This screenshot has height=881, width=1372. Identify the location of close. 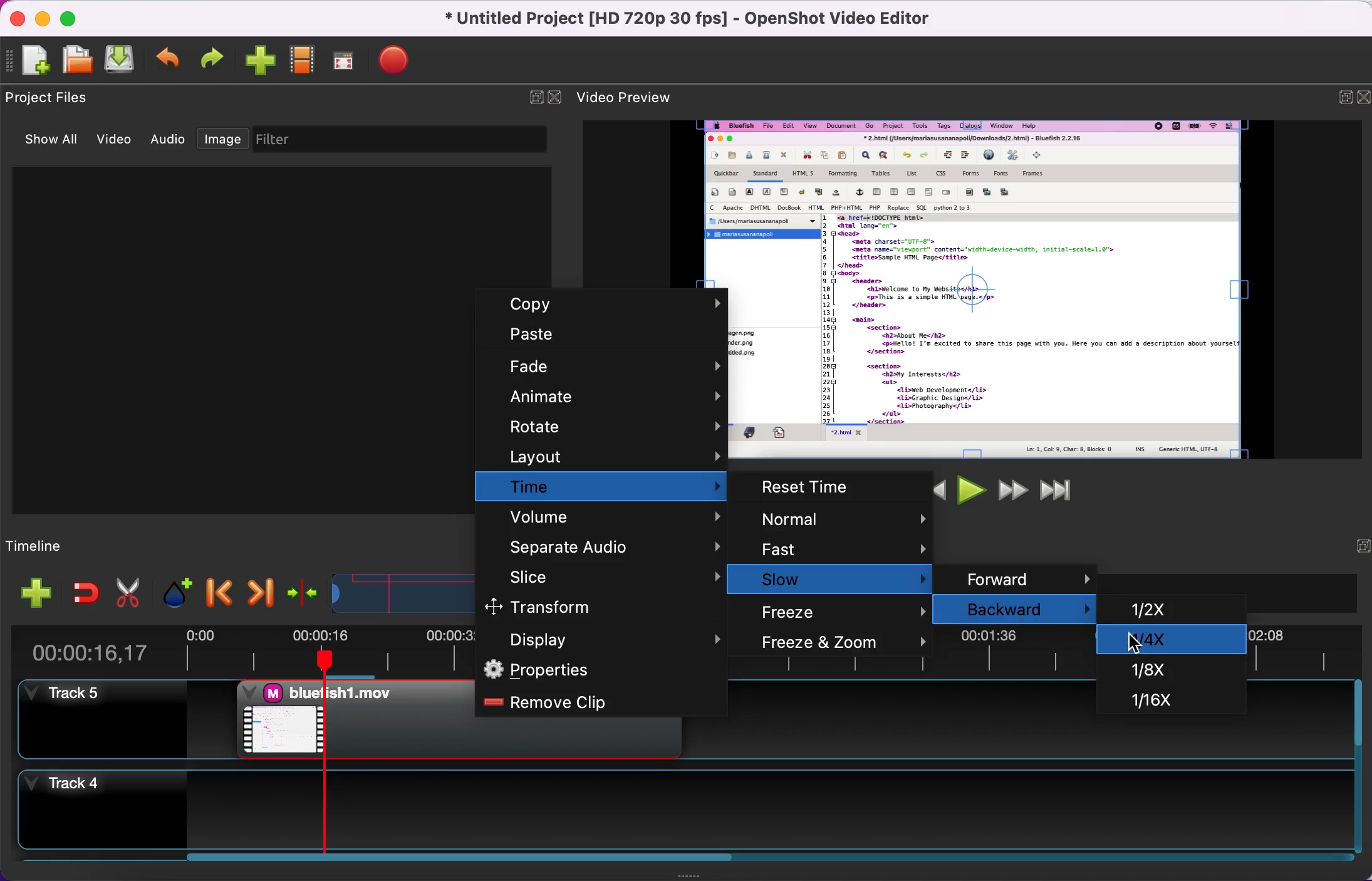
(21, 21).